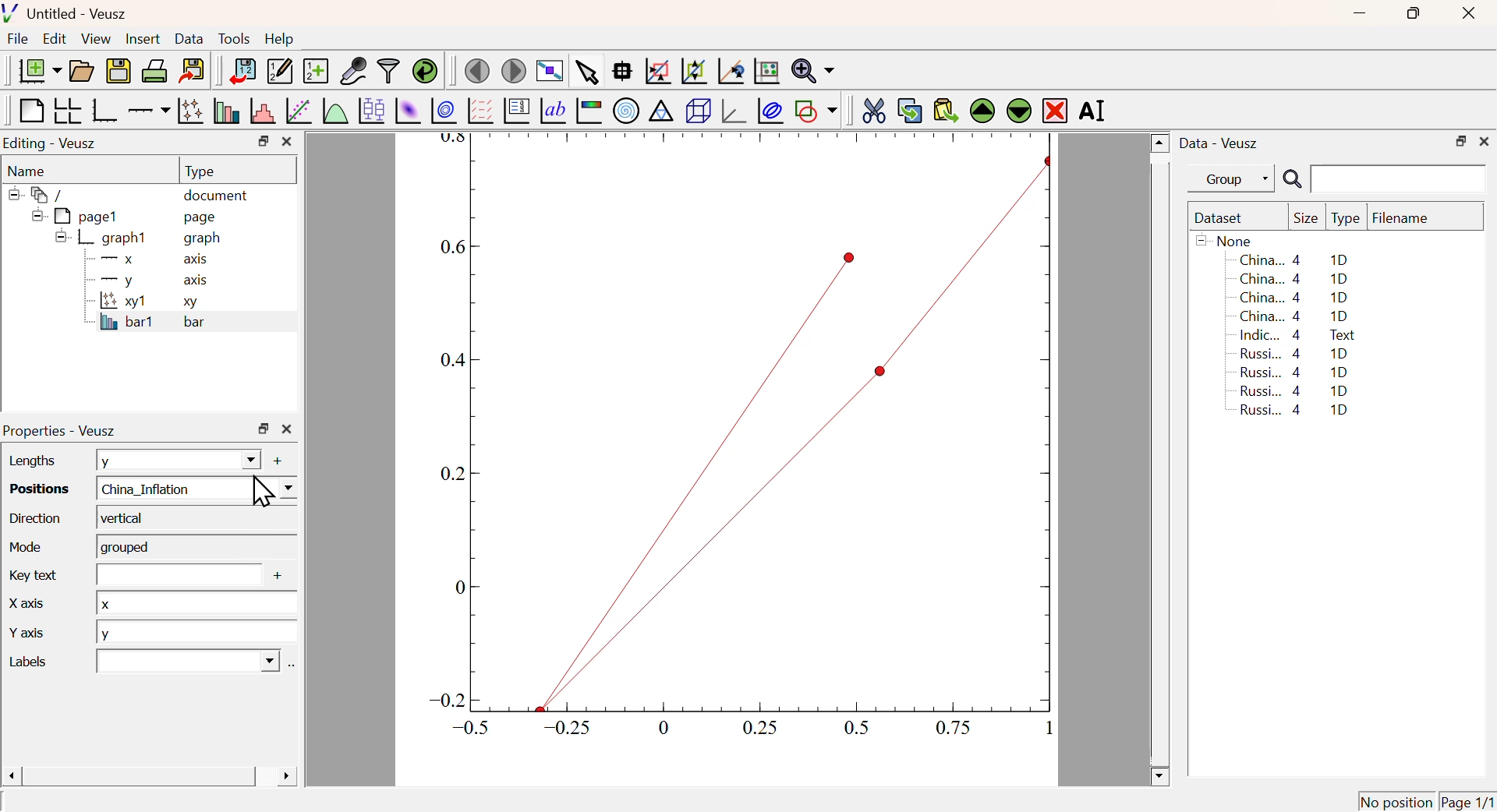 Image resolution: width=1497 pixels, height=812 pixels. I want to click on View, so click(95, 40).